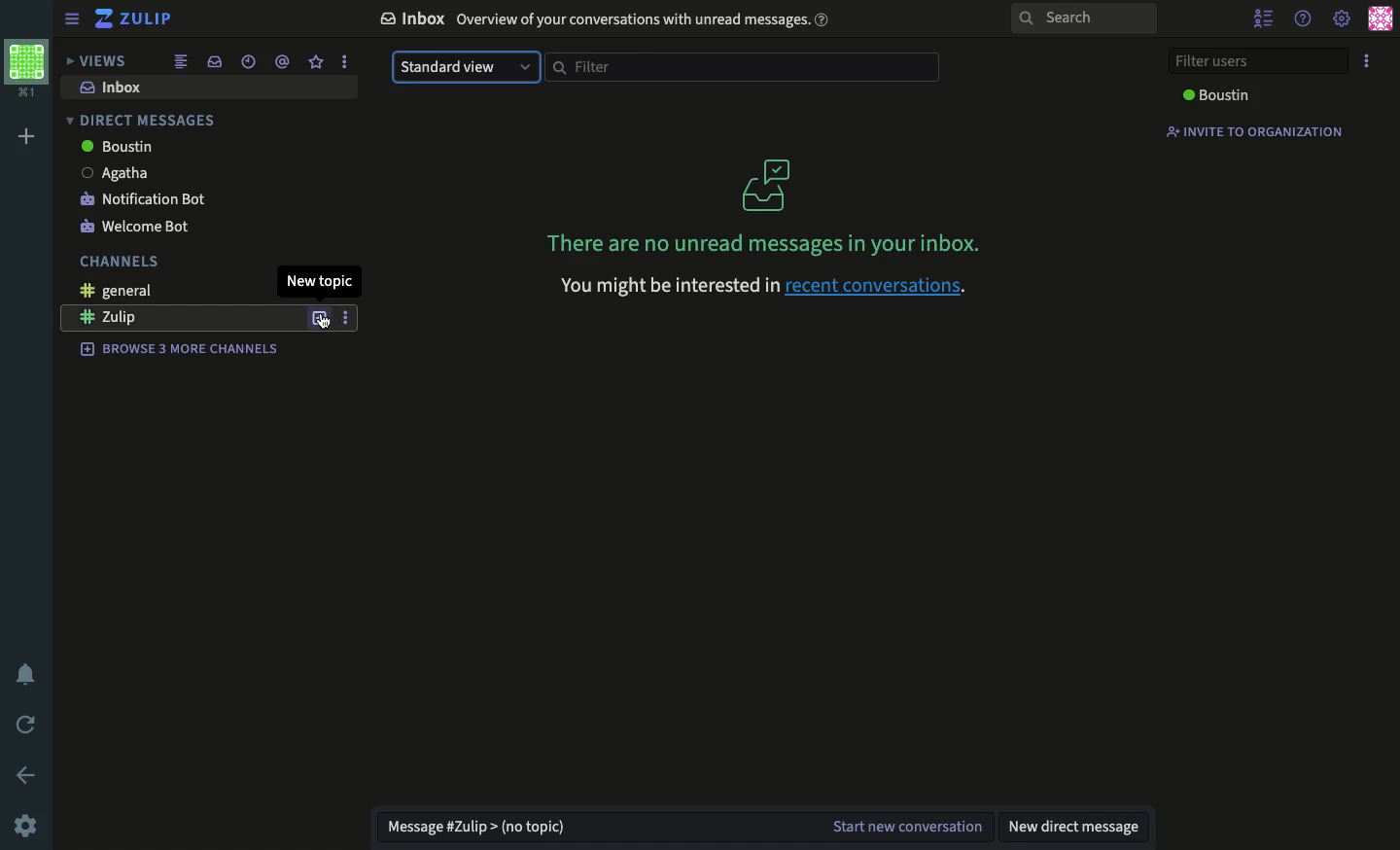  What do you see at coordinates (25, 672) in the screenshot?
I see `notification` at bounding box center [25, 672].